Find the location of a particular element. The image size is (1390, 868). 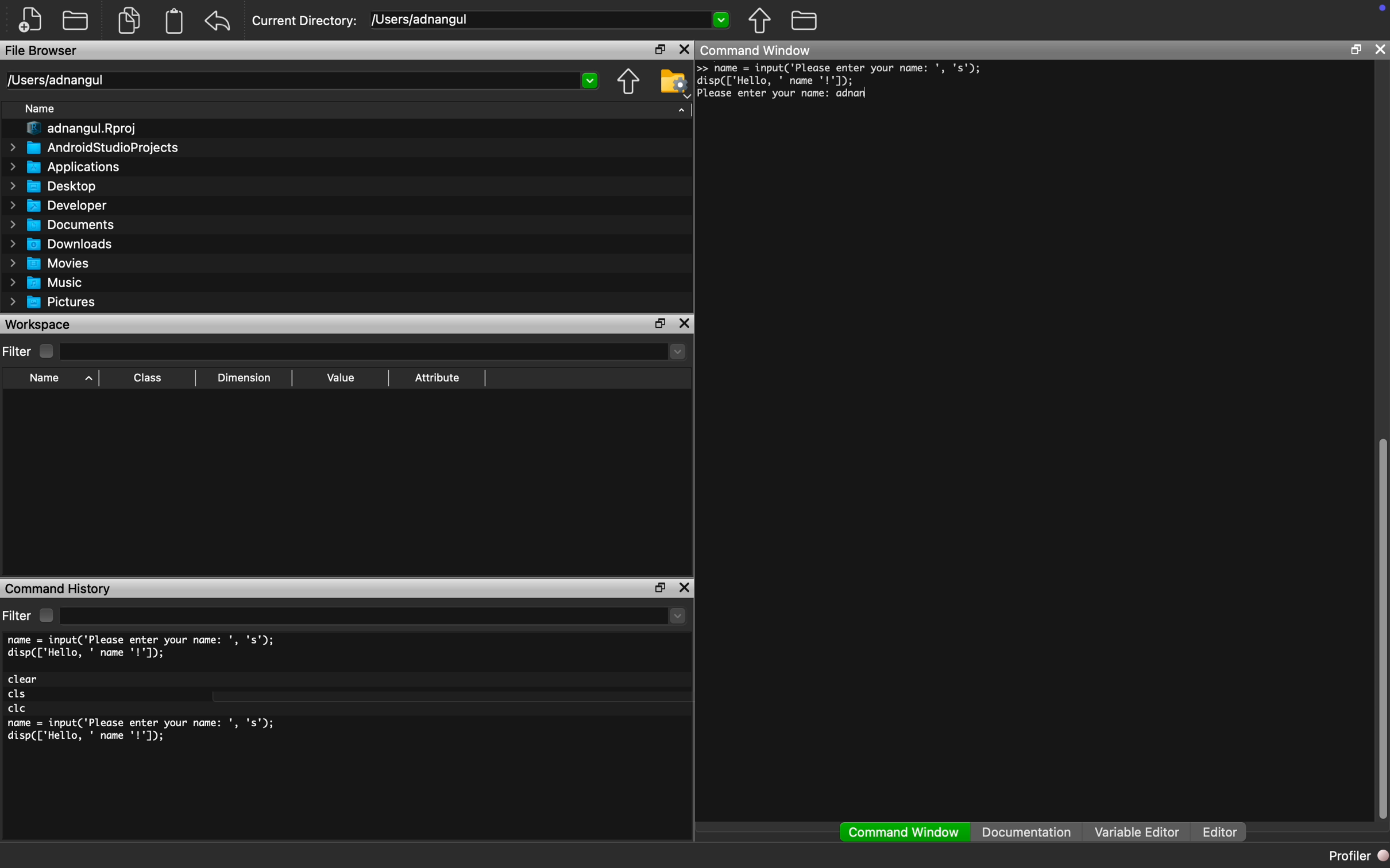

maximize is located at coordinates (658, 588).